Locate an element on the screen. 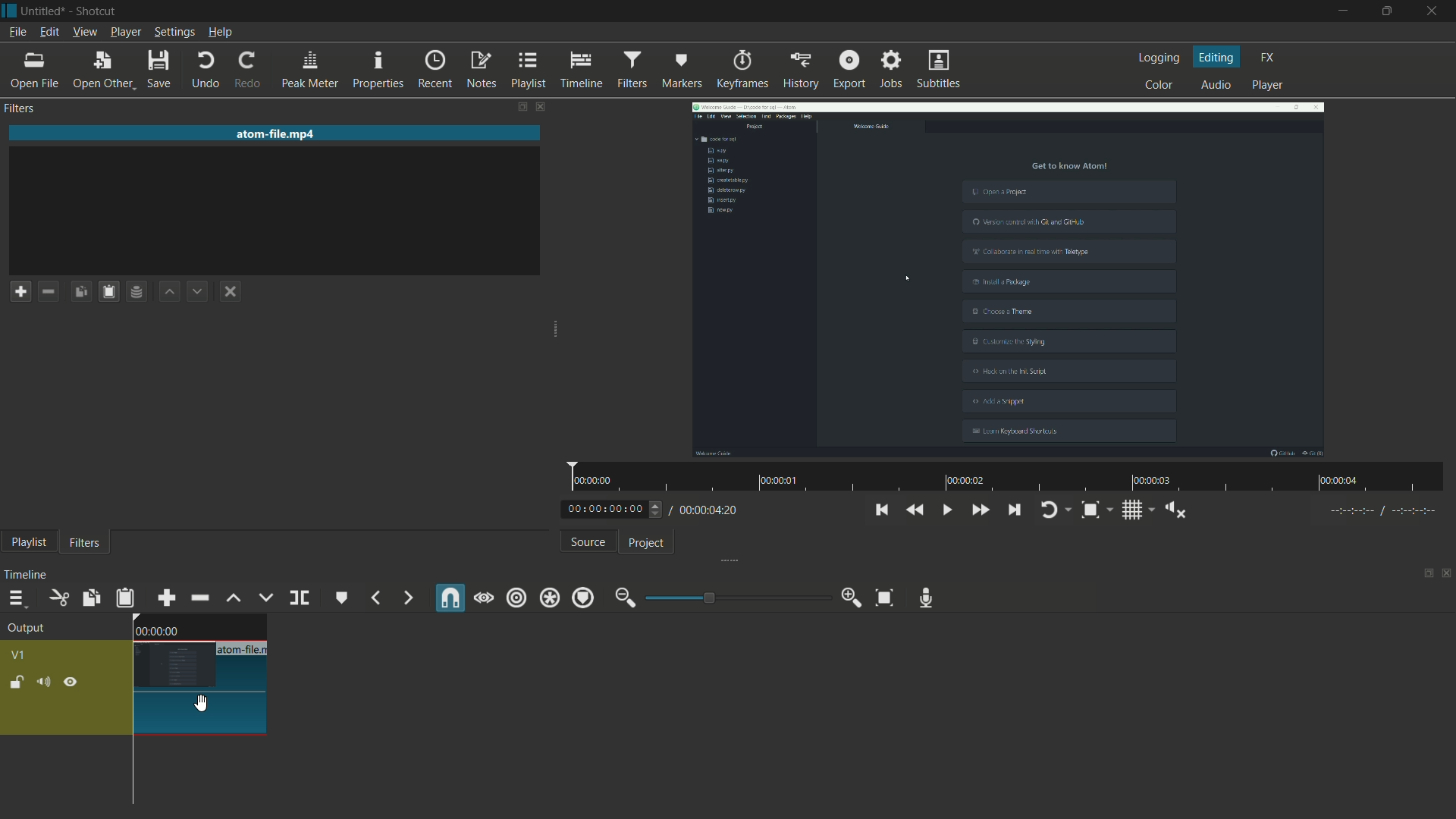 This screenshot has height=819, width=1456. filters is located at coordinates (83, 543).